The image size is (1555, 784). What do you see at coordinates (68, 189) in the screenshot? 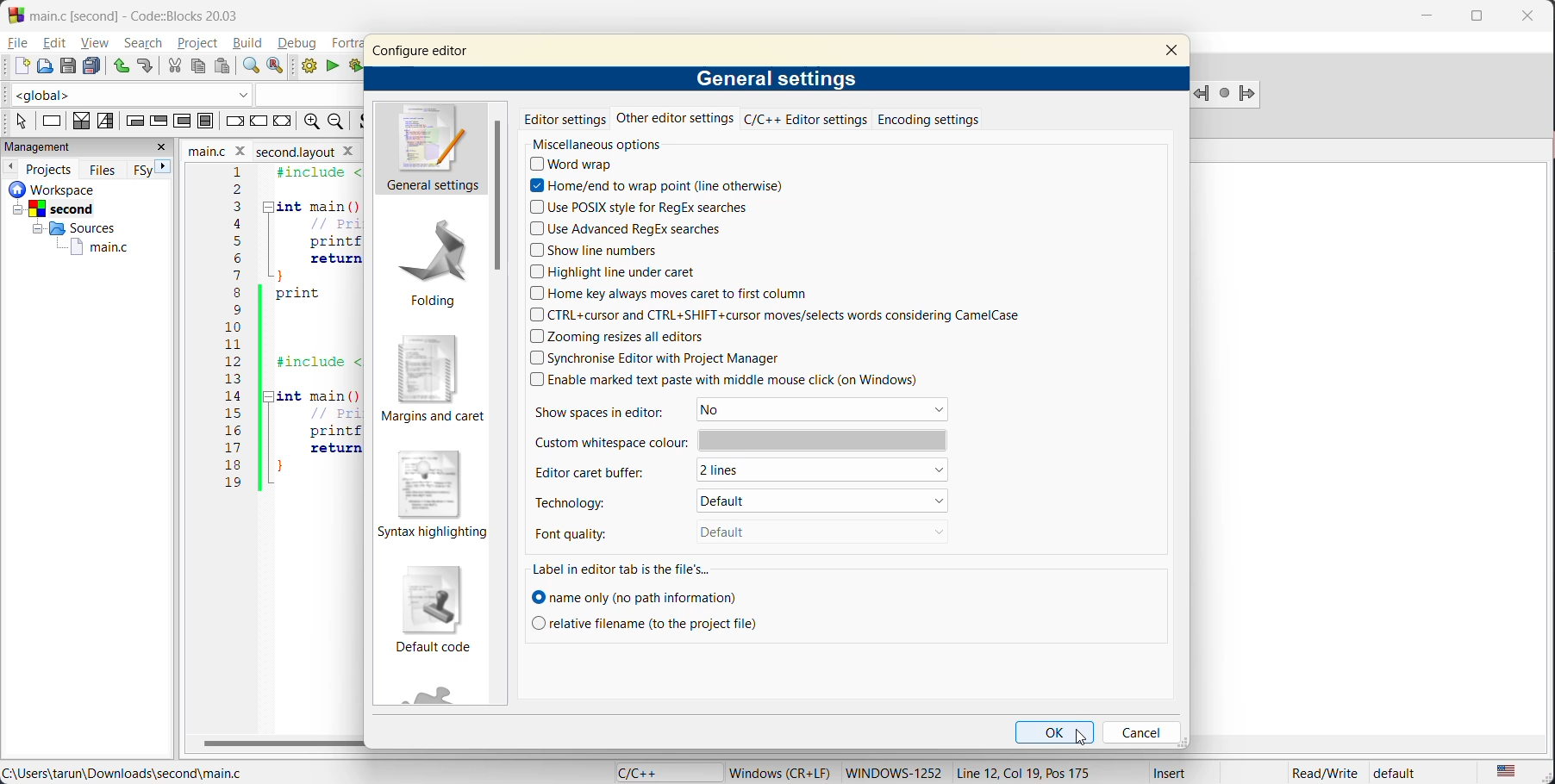
I see `workspace` at bounding box center [68, 189].